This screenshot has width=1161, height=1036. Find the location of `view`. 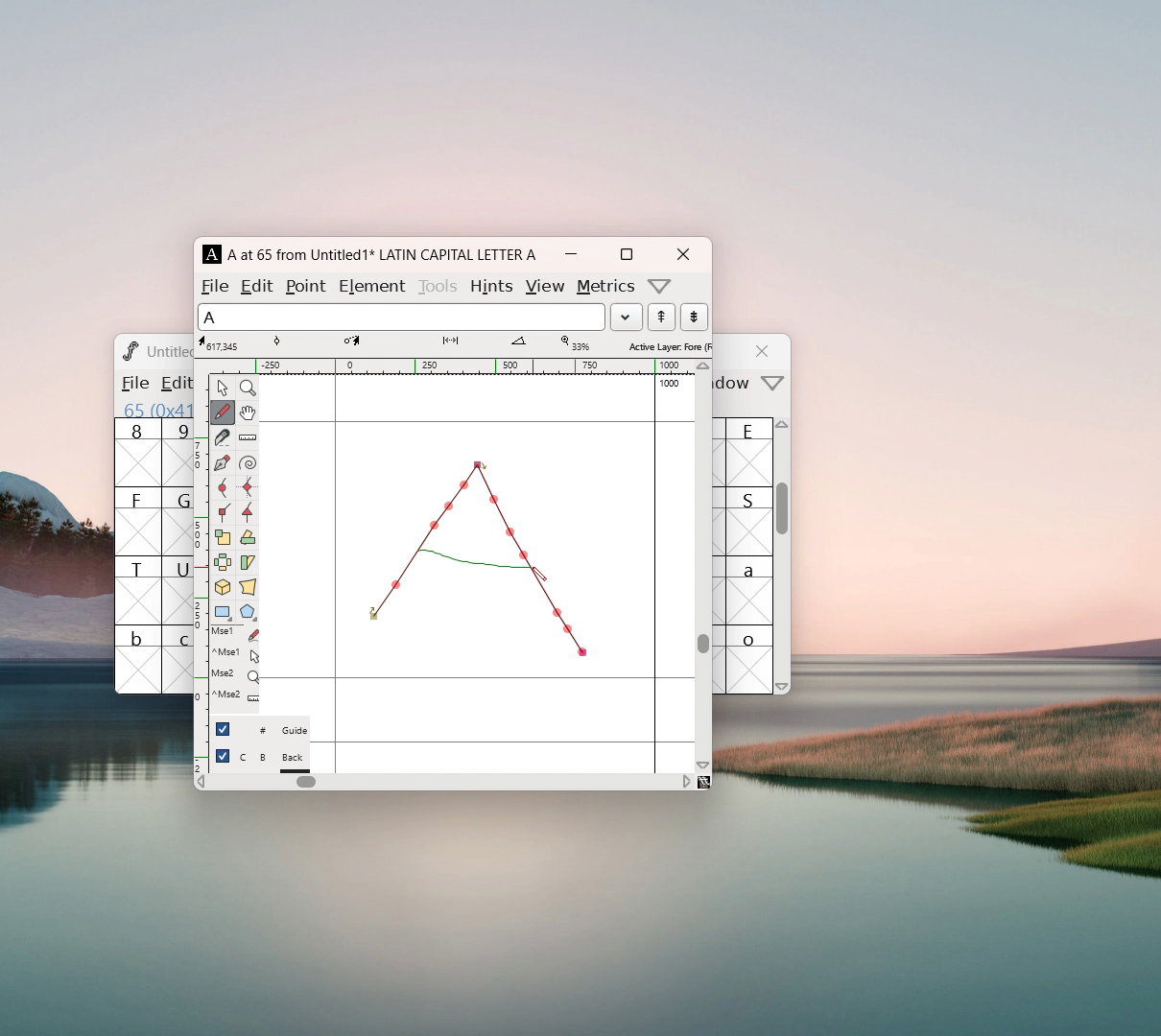

view is located at coordinates (544, 287).